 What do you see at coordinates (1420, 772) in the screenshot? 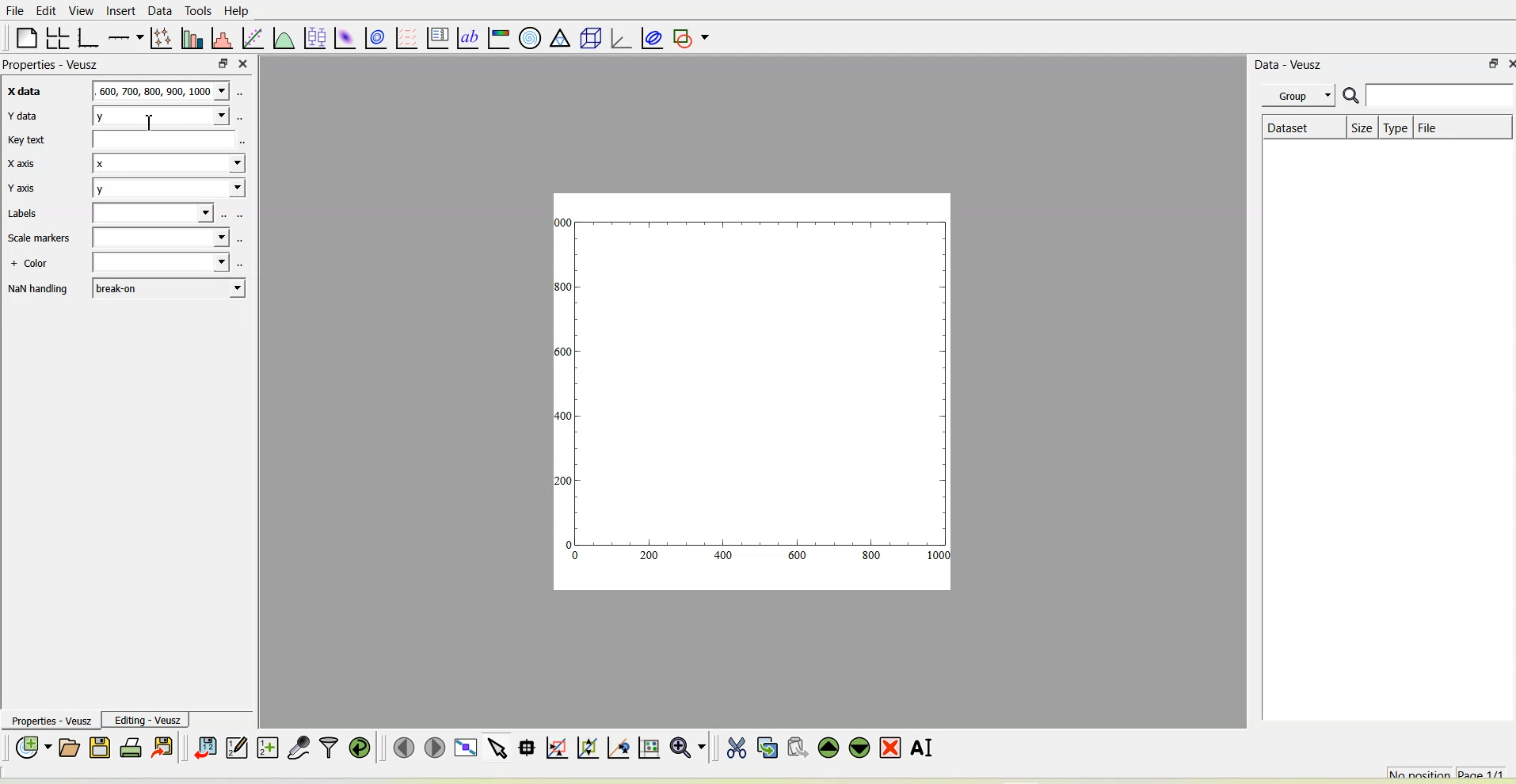
I see `No position` at bounding box center [1420, 772].